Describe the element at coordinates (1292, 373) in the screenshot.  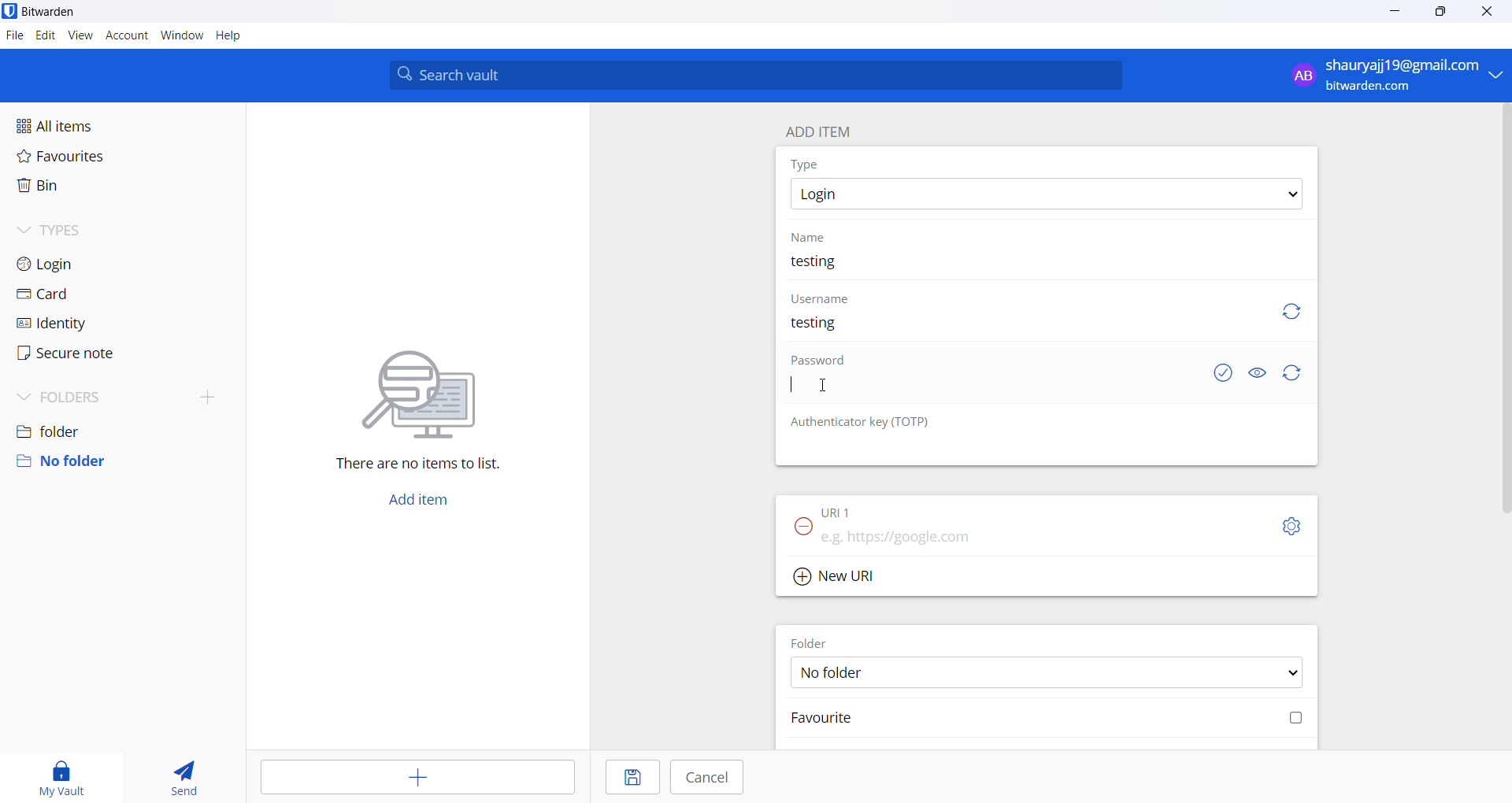
I see `refresh` at that location.